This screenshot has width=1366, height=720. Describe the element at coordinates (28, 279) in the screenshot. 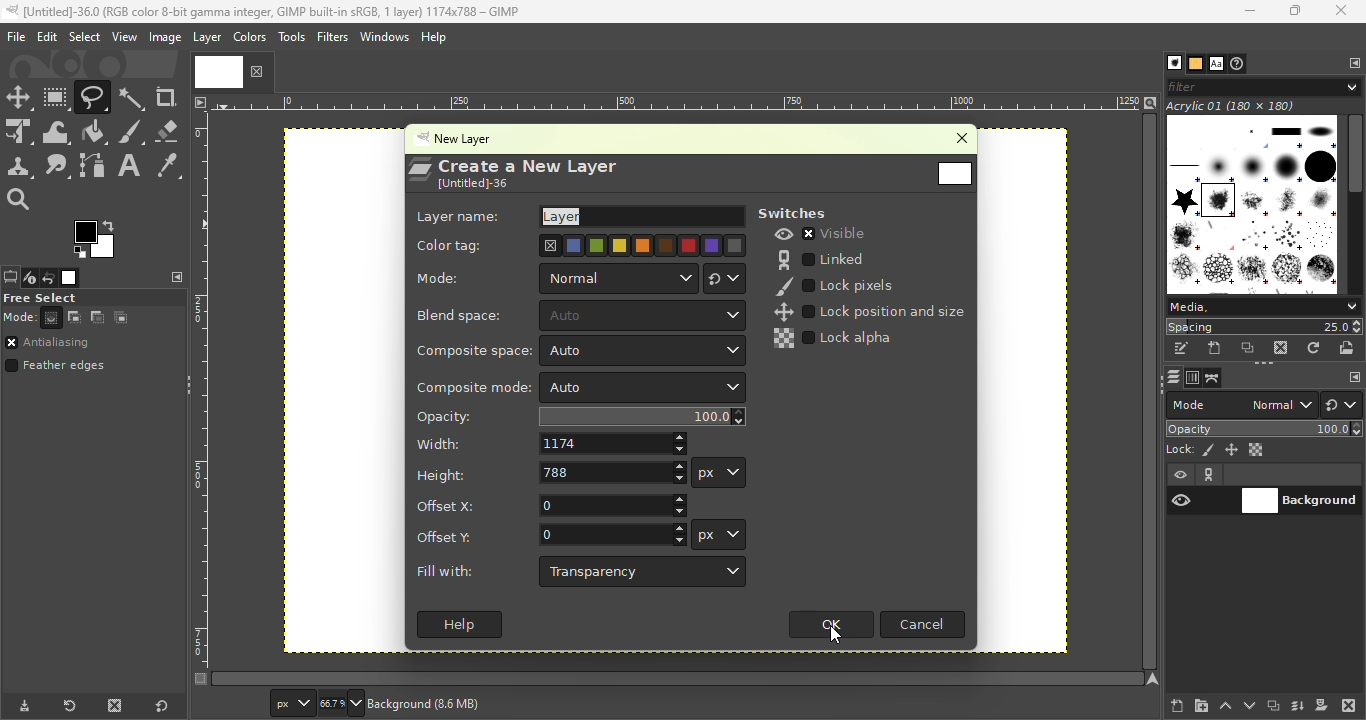

I see `Device status` at that location.